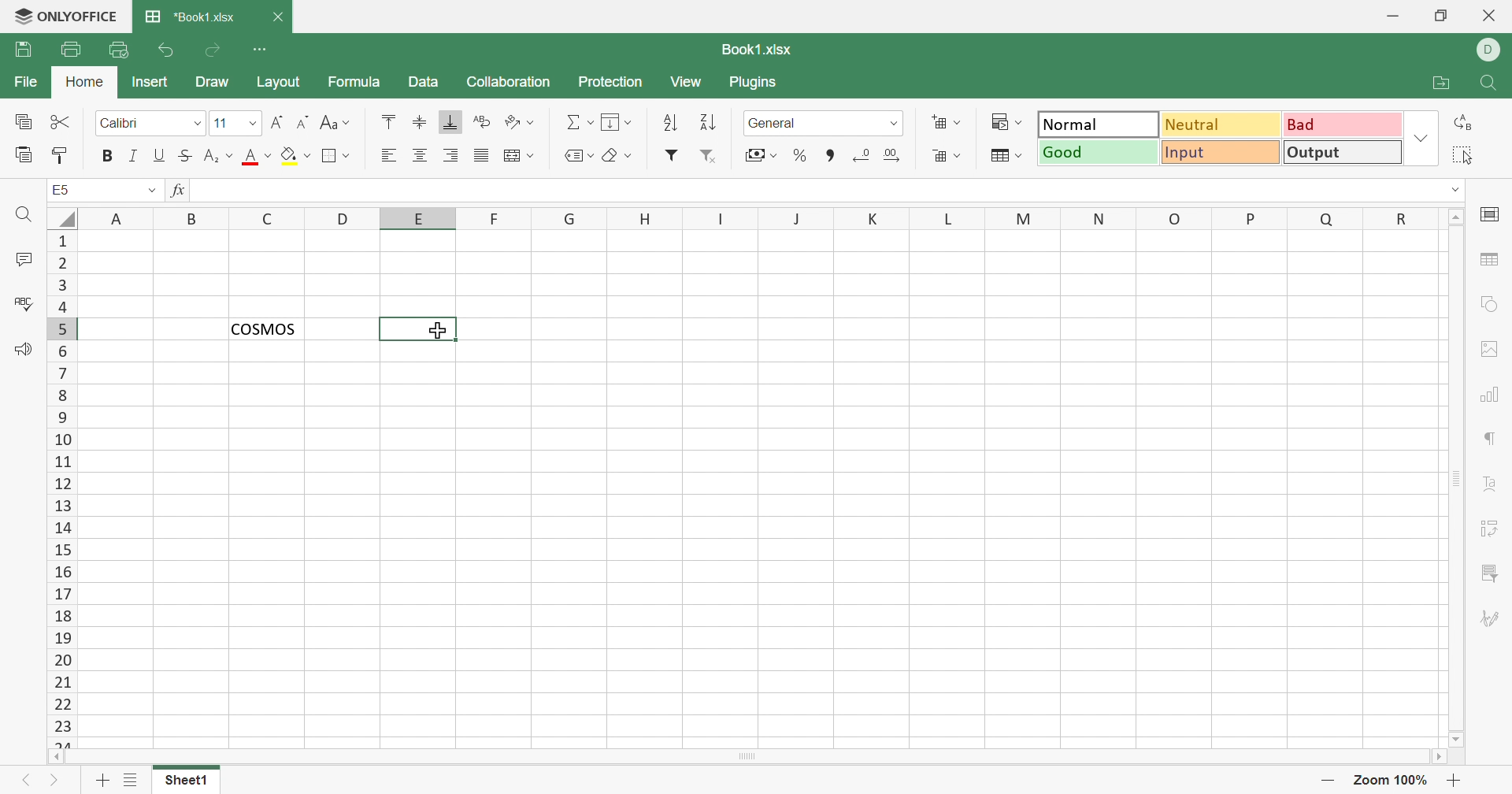 The width and height of the screenshot is (1512, 794). I want to click on Align middle, so click(421, 123).